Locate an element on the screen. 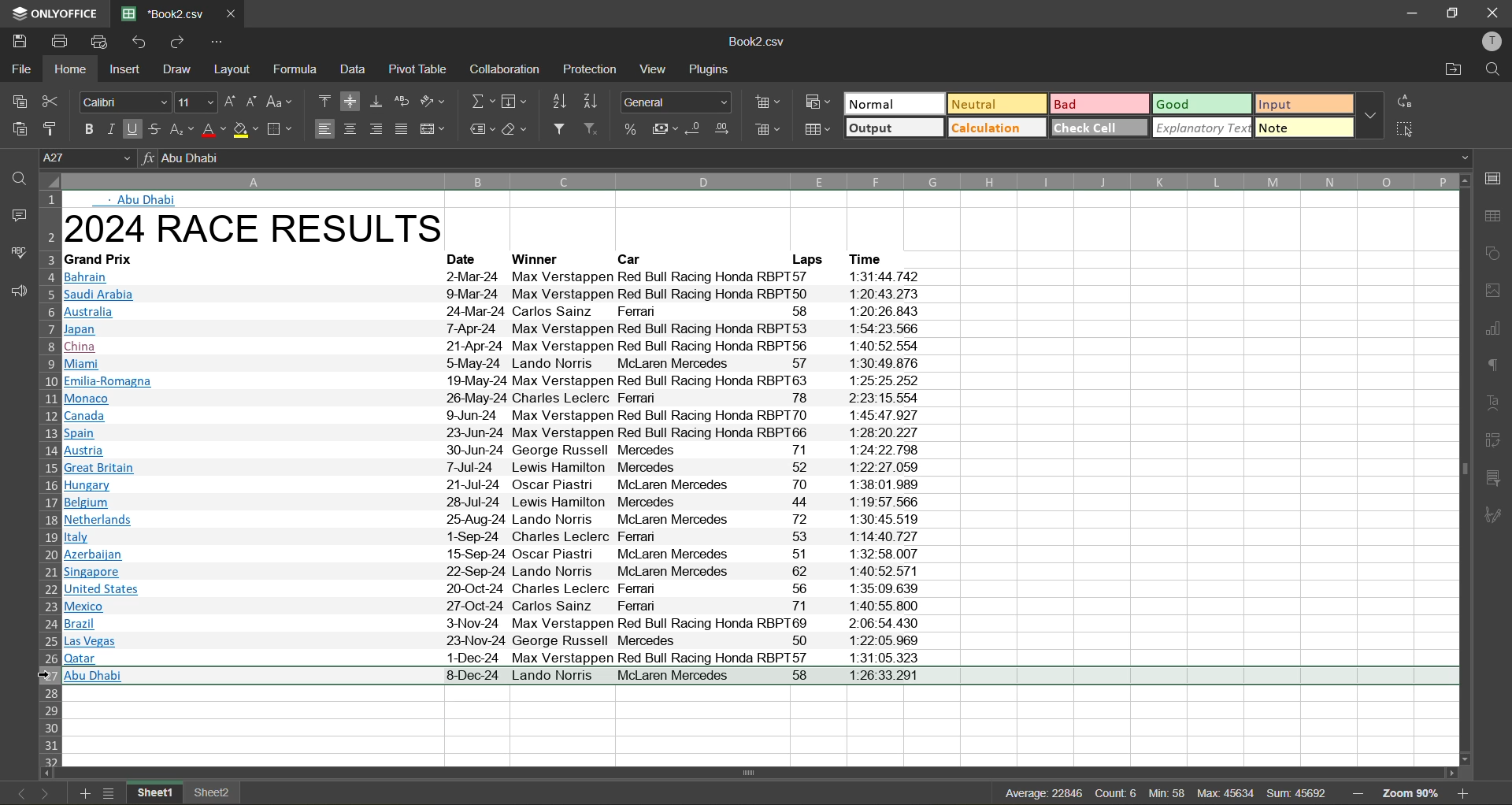  borders is located at coordinates (282, 129).